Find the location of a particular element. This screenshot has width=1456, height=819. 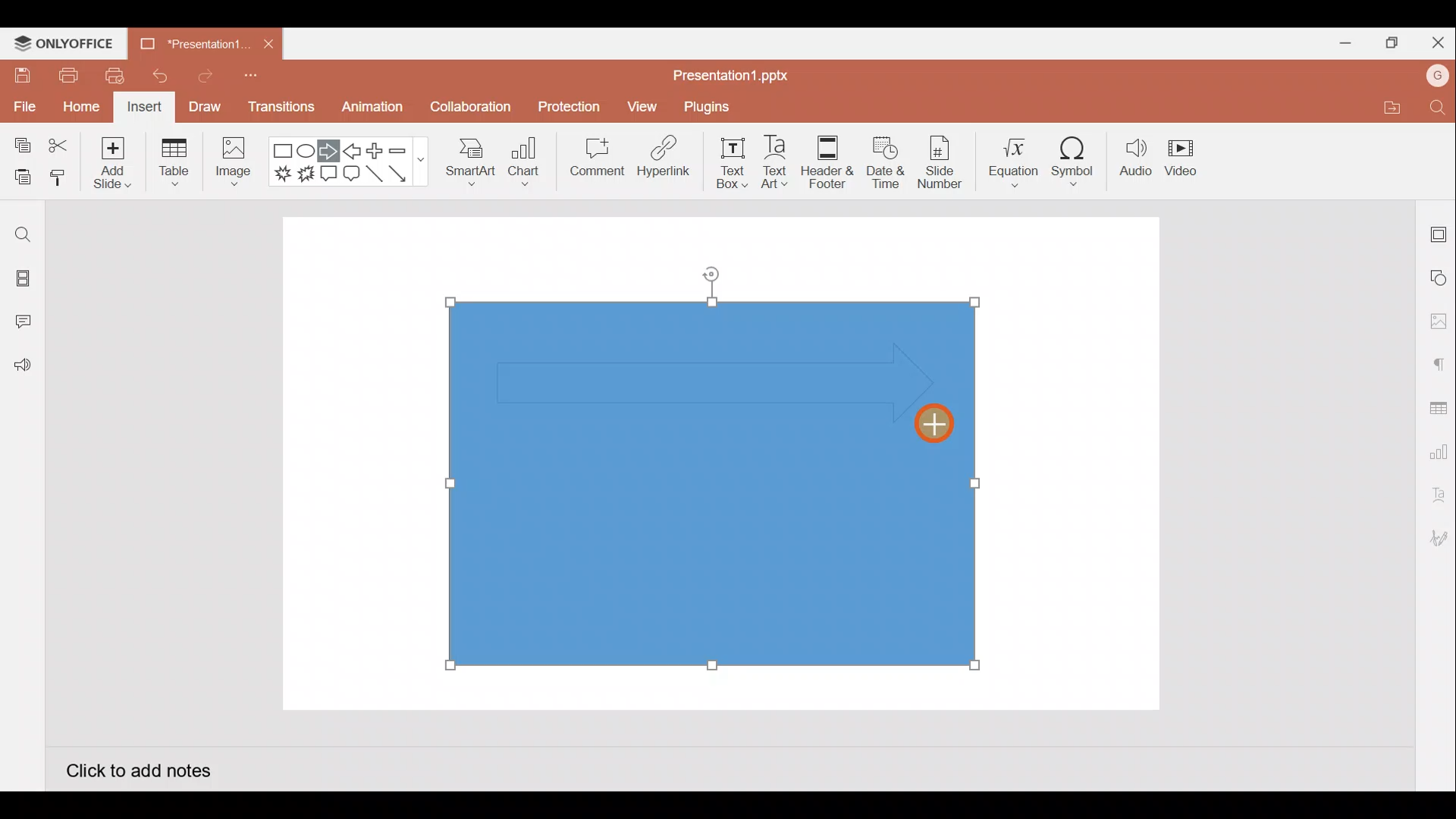

Transitions is located at coordinates (282, 111).